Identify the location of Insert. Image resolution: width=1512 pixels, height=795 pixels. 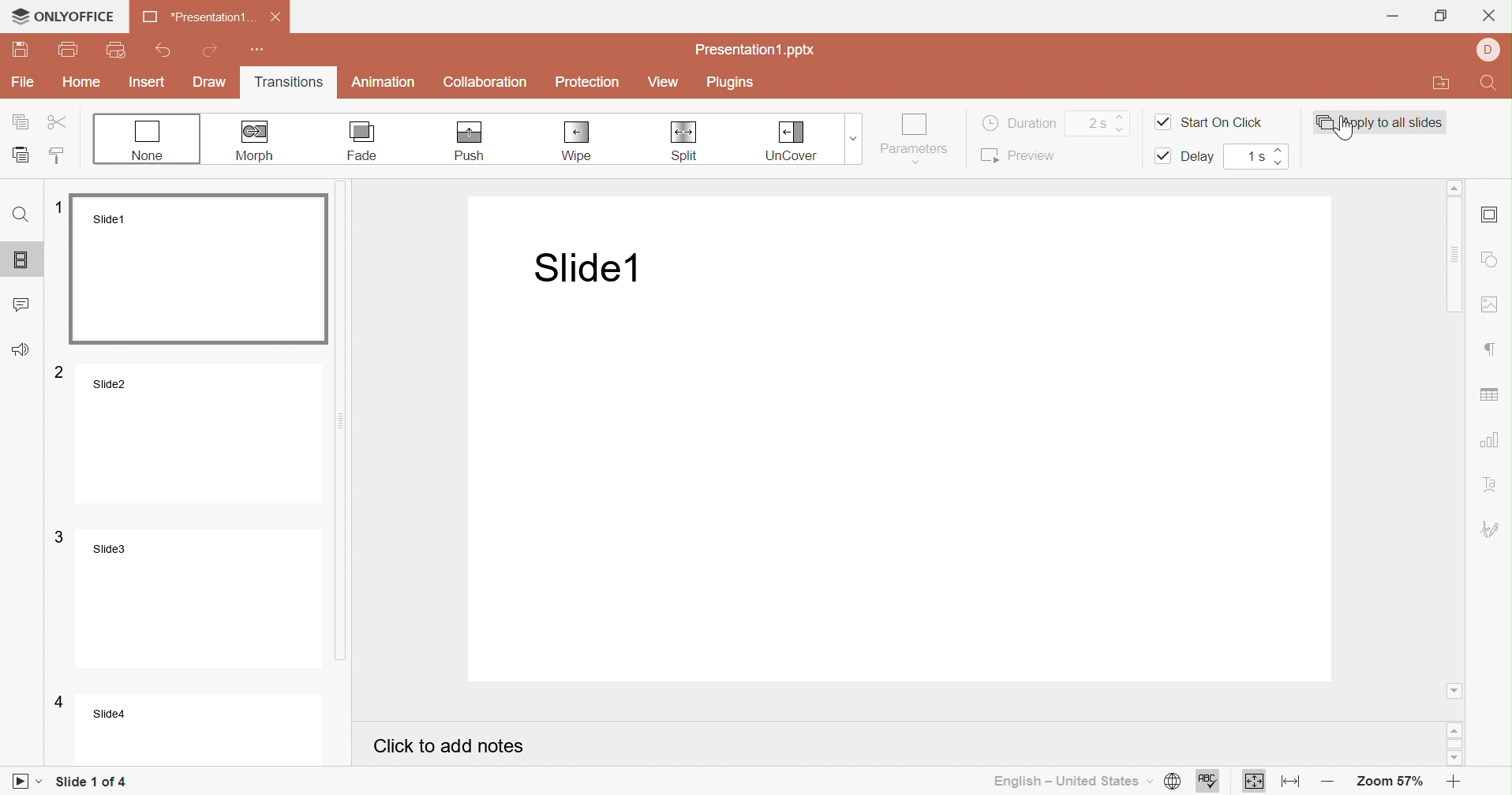
(148, 83).